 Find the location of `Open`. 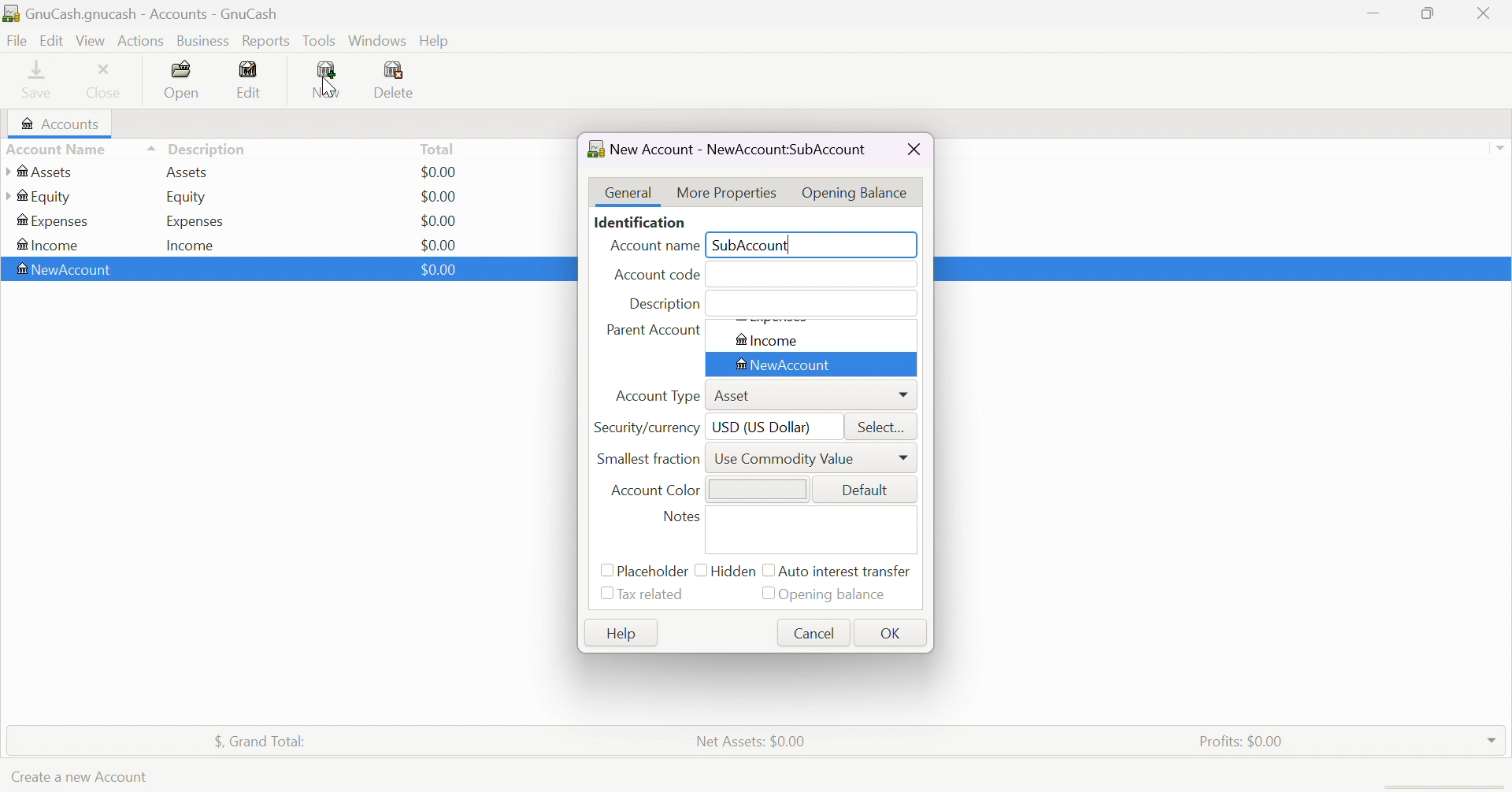

Open is located at coordinates (185, 81).